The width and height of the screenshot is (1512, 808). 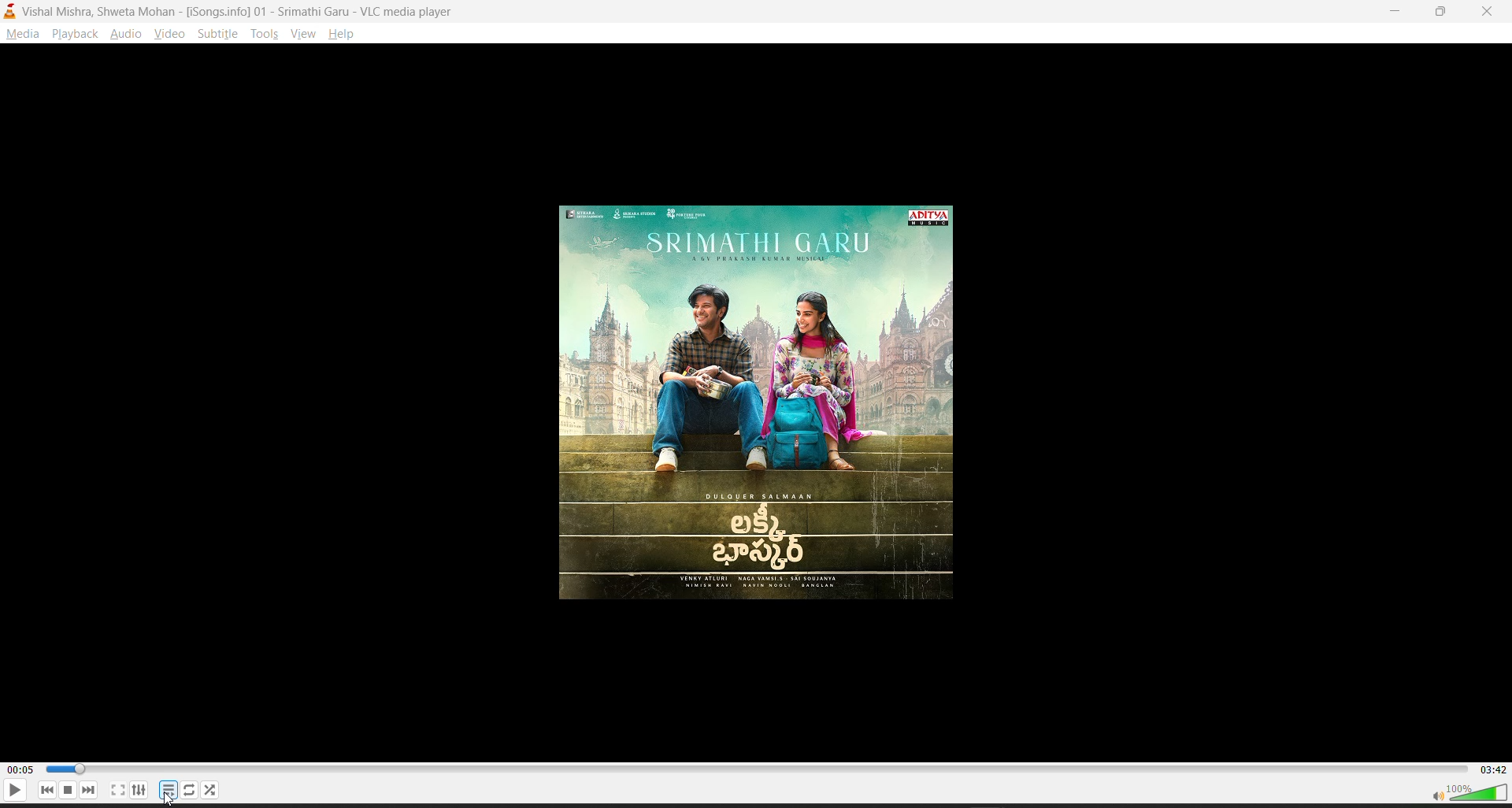 I want to click on video, so click(x=168, y=32).